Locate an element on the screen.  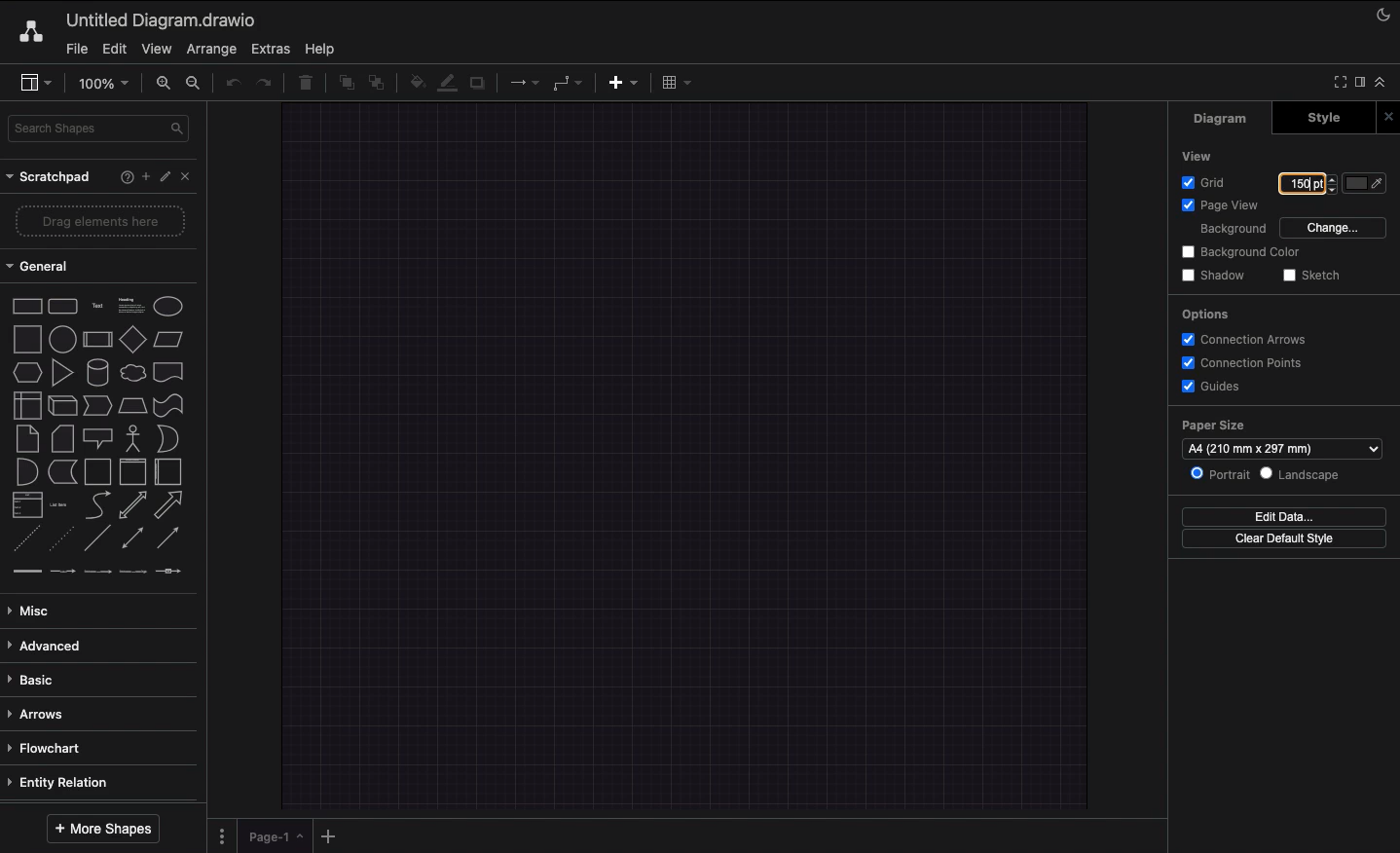
Grid is located at coordinates (1205, 184).